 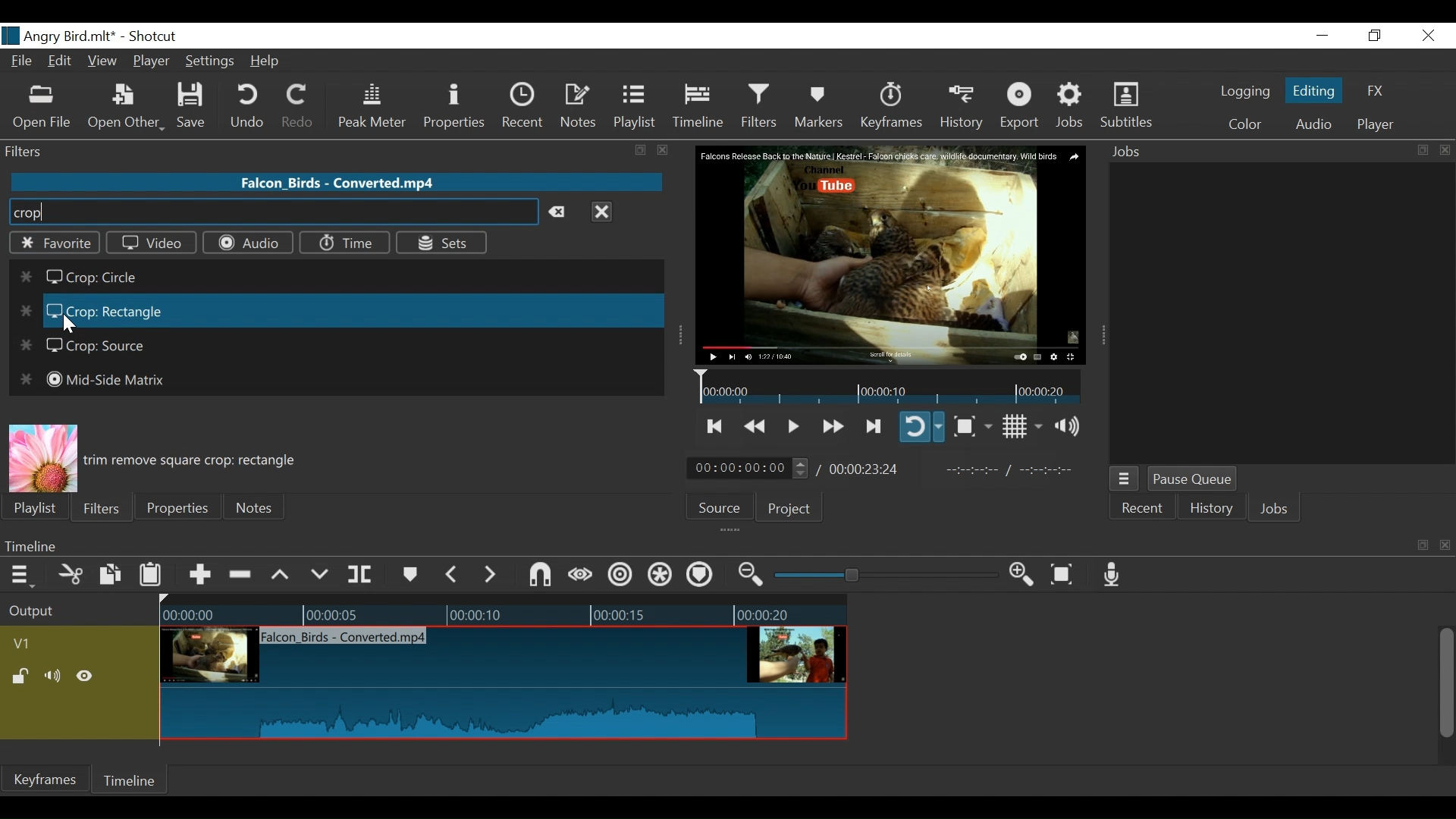 What do you see at coordinates (789, 508) in the screenshot?
I see `Project` at bounding box center [789, 508].